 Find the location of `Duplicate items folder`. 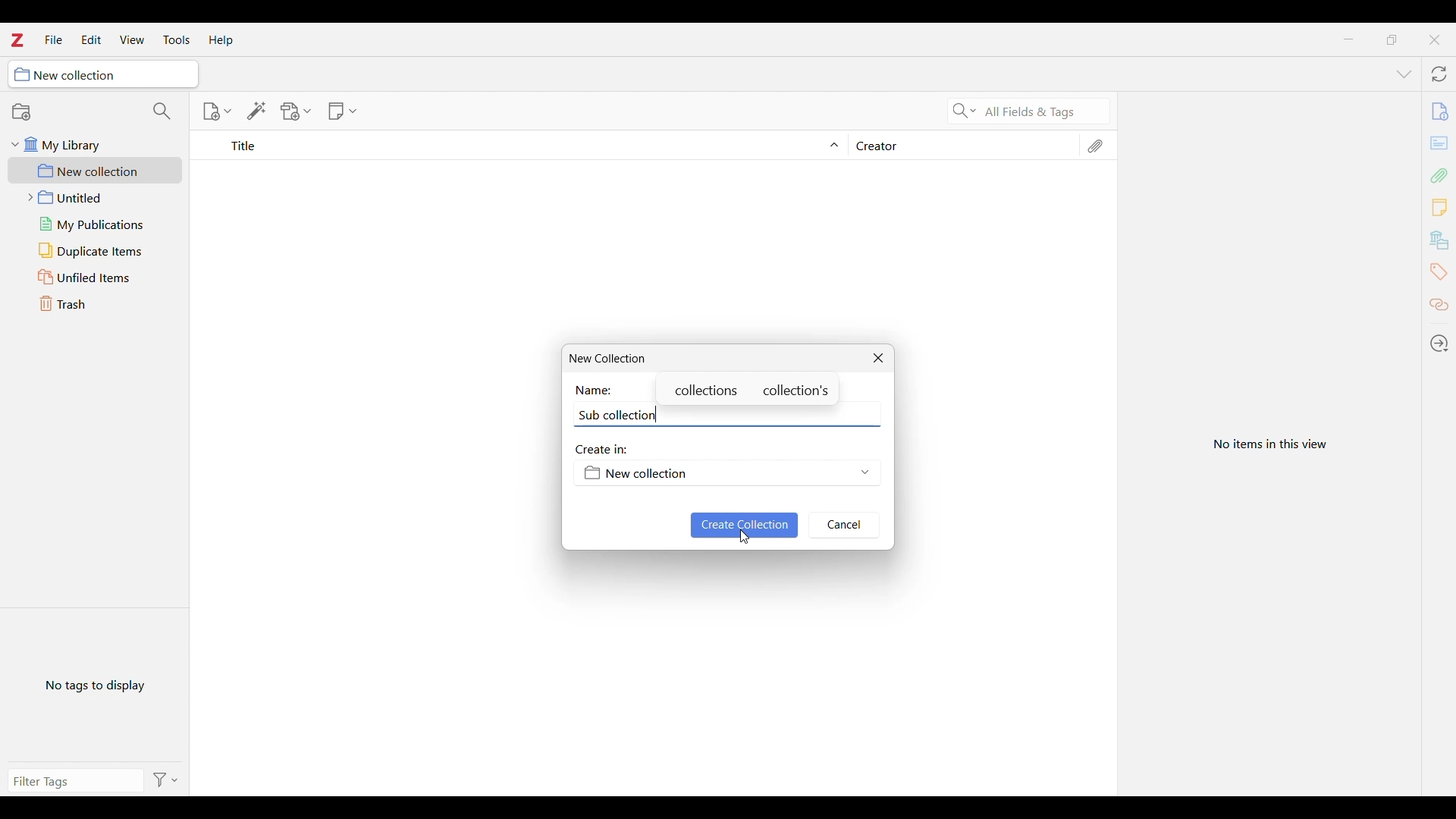

Duplicate items folder is located at coordinates (95, 251).